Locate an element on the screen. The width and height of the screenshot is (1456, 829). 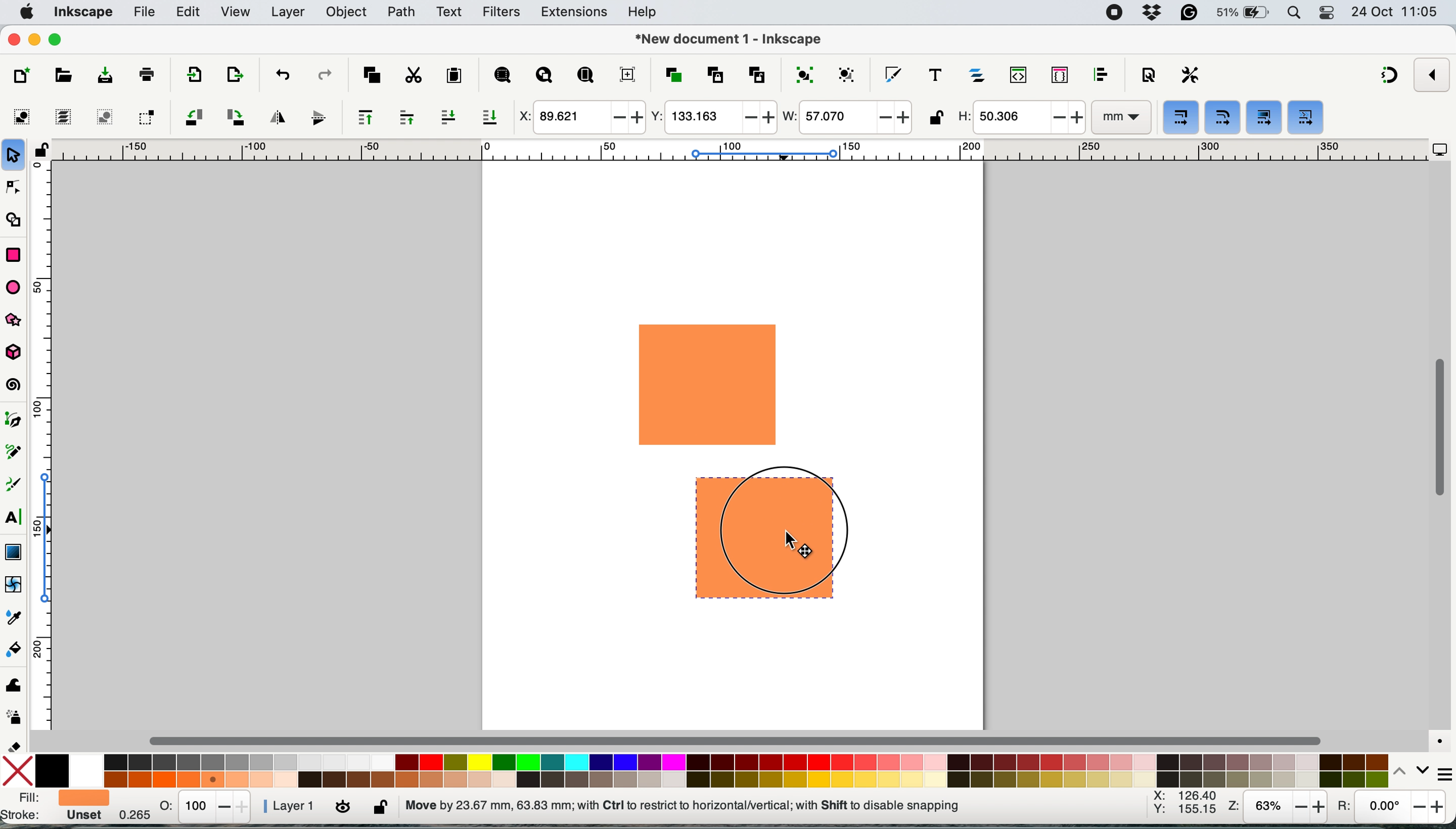
rectangle shape is located at coordinates (708, 384).